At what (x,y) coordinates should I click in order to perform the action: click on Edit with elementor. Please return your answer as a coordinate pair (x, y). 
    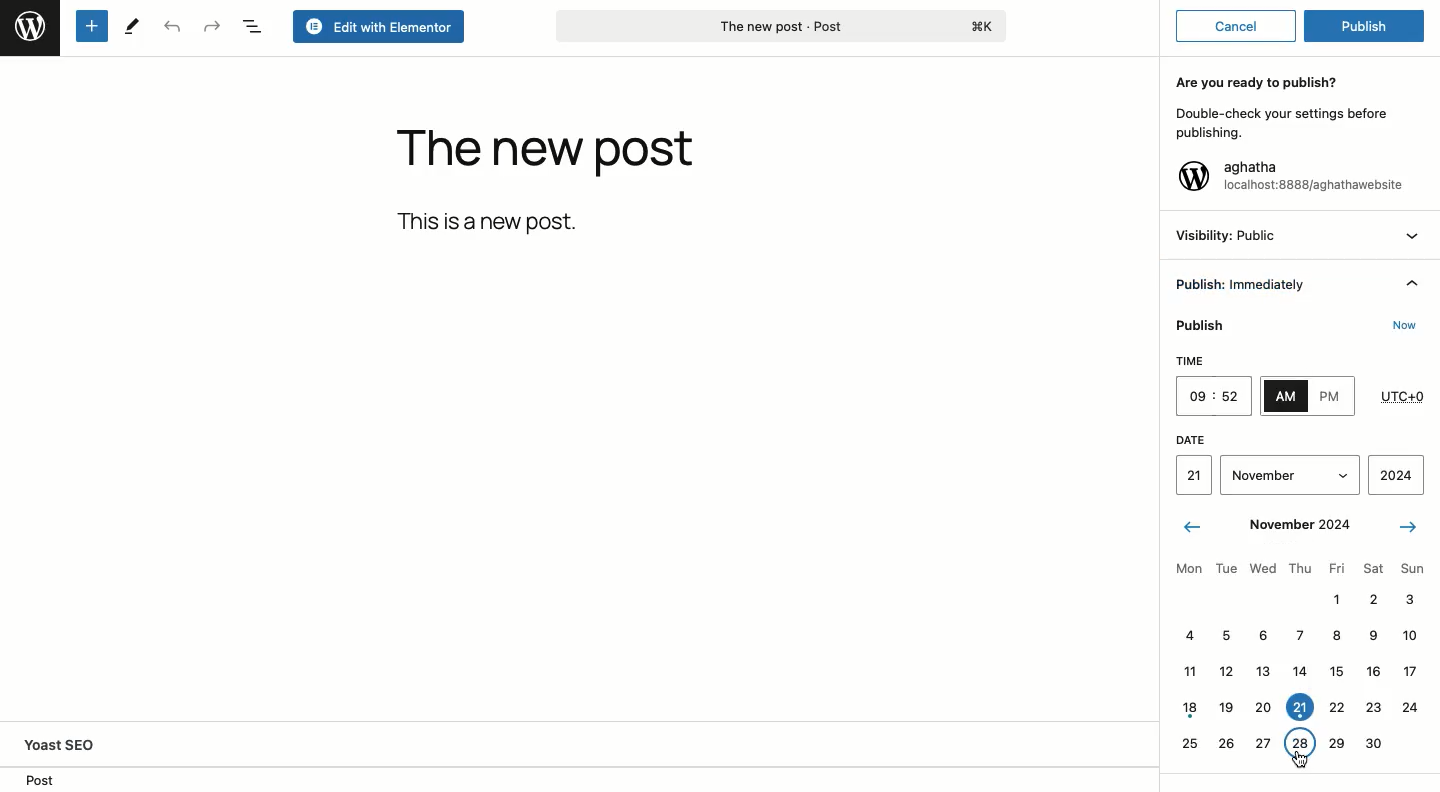
    Looking at the image, I should click on (379, 27).